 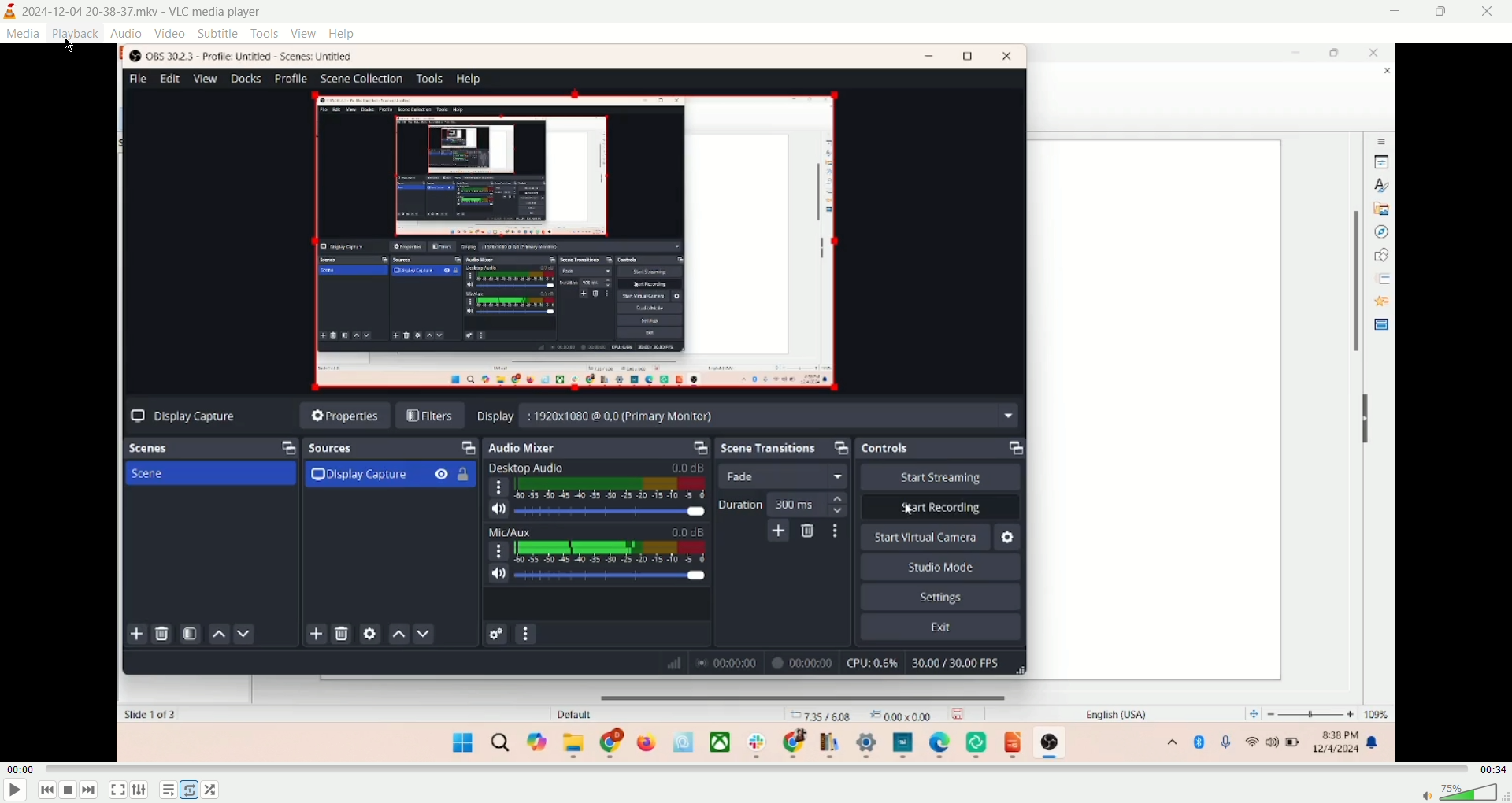 I want to click on audio, so click(x=126, y=32).